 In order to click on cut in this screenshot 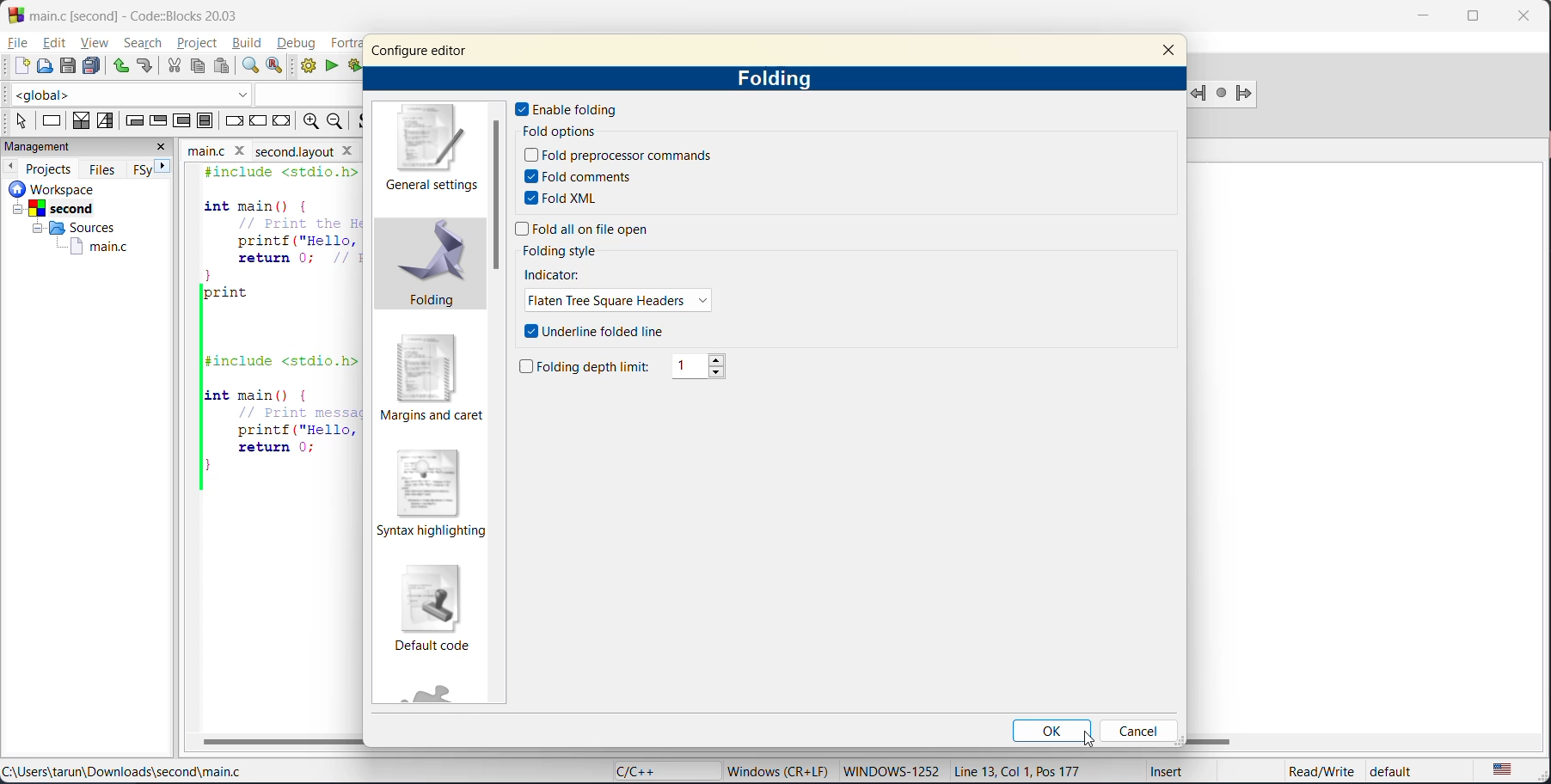, I will do `click(173, 66)`.